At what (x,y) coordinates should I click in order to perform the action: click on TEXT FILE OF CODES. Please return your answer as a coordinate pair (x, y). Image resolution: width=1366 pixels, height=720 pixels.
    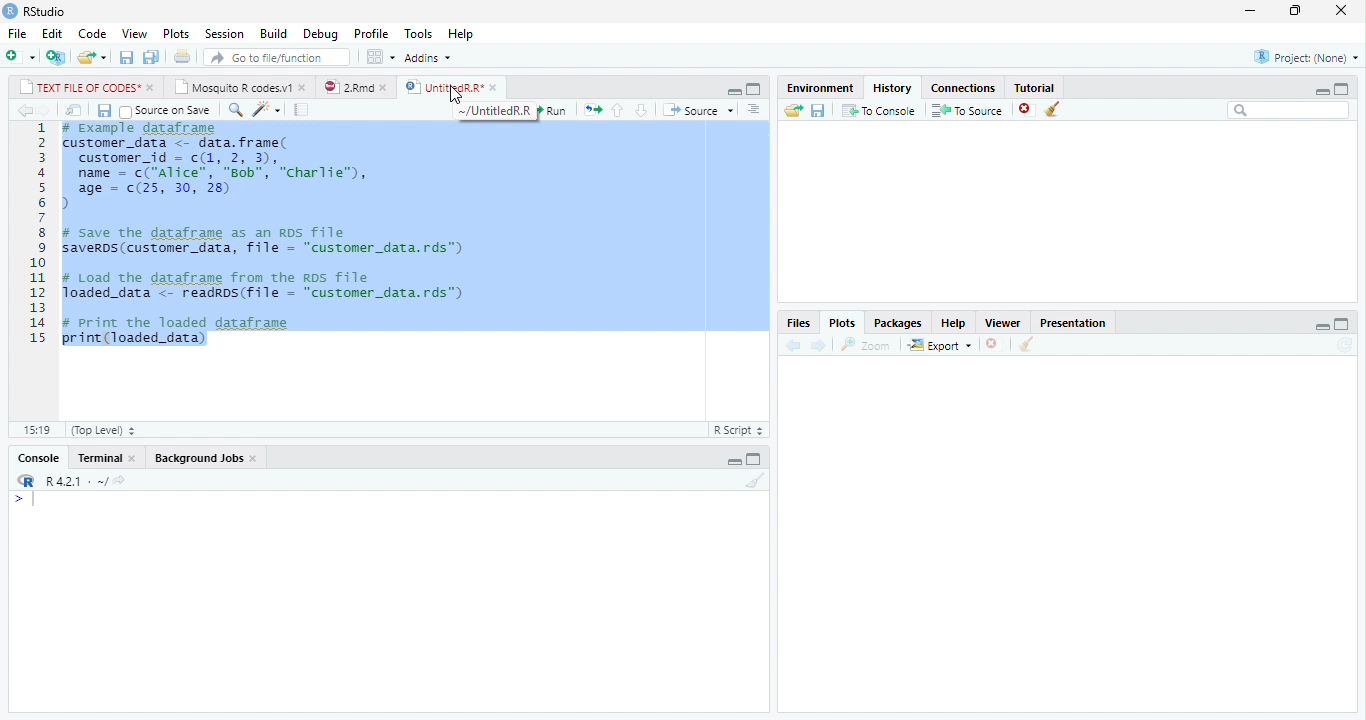
    Looking at the image, I should click on (76, 87).